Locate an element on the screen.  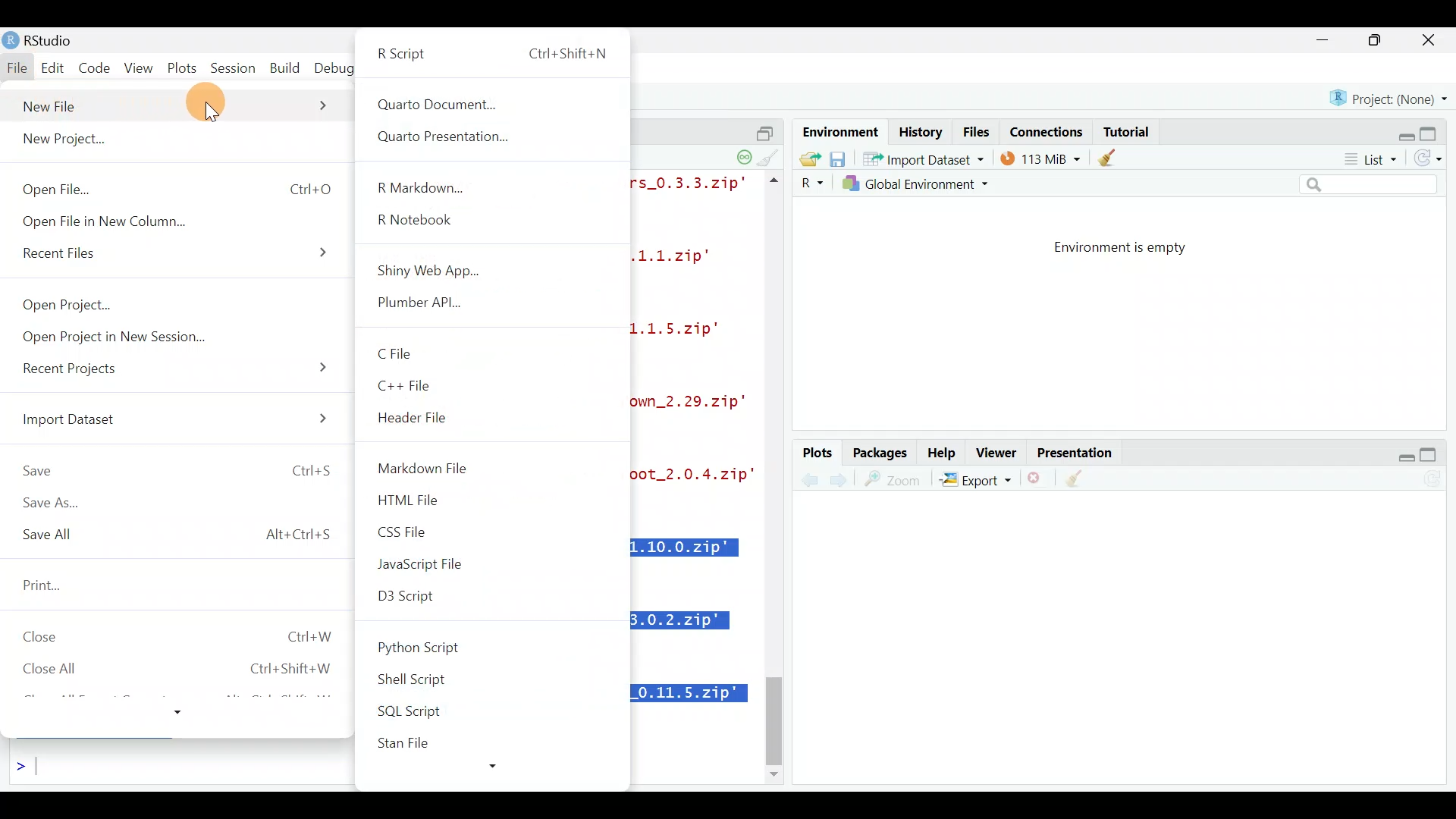
Environment is located at coordinates (838, 131).